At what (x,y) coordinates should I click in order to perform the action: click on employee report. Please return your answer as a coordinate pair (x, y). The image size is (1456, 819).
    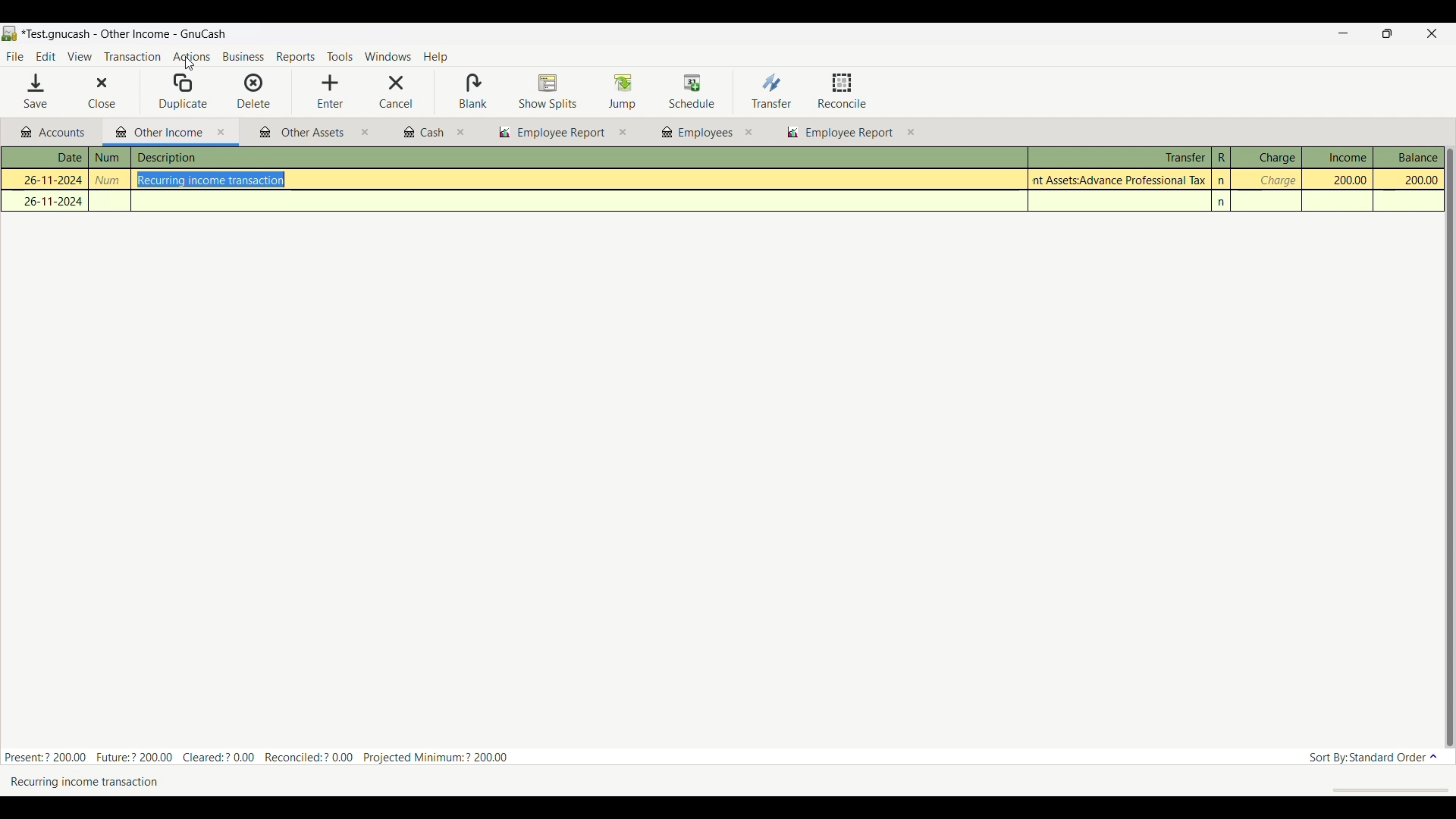
    Looking at the image, I should click on (848, 134).